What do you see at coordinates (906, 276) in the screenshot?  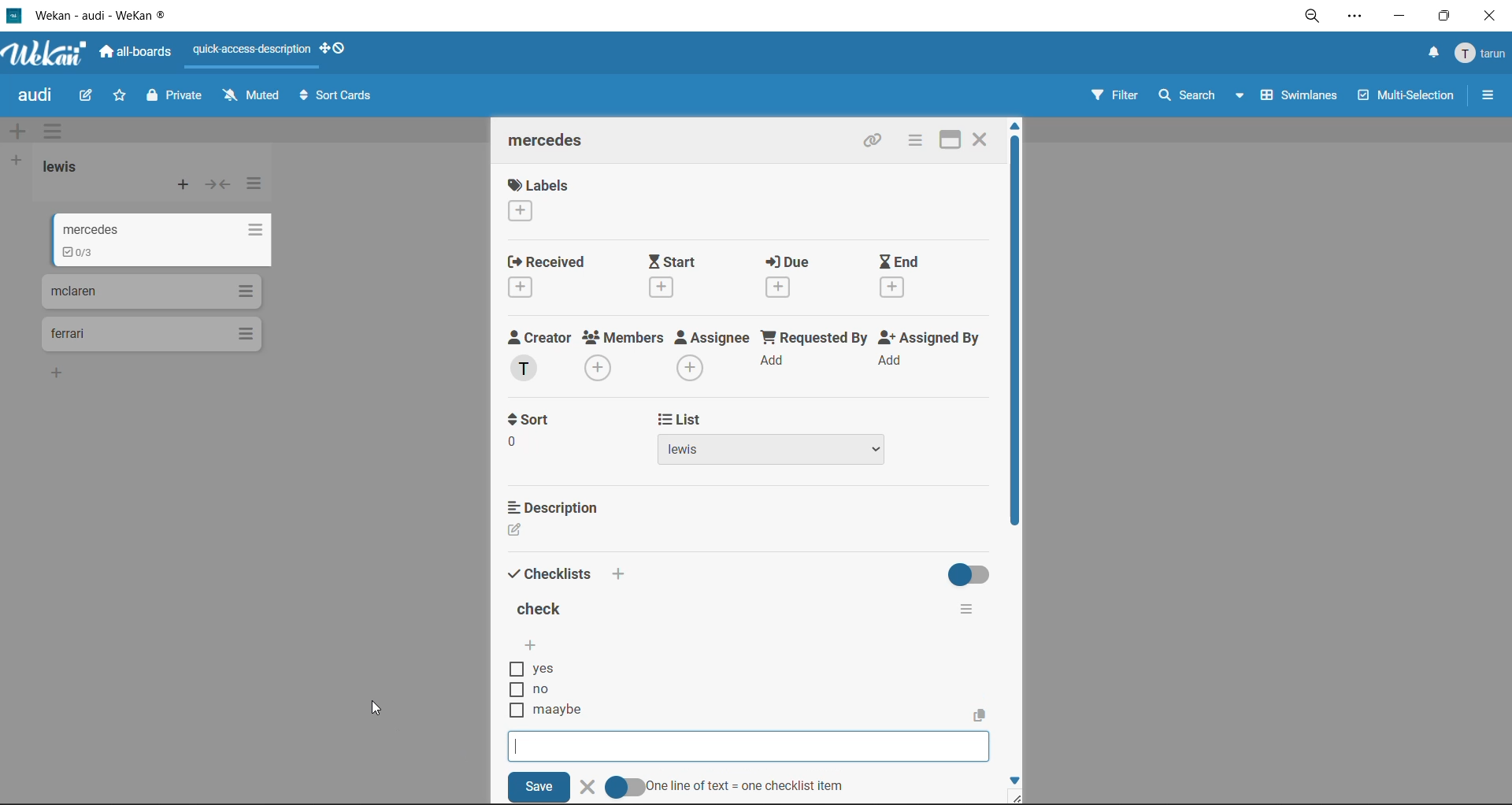 I see `end` at bounding box center [906, 276].